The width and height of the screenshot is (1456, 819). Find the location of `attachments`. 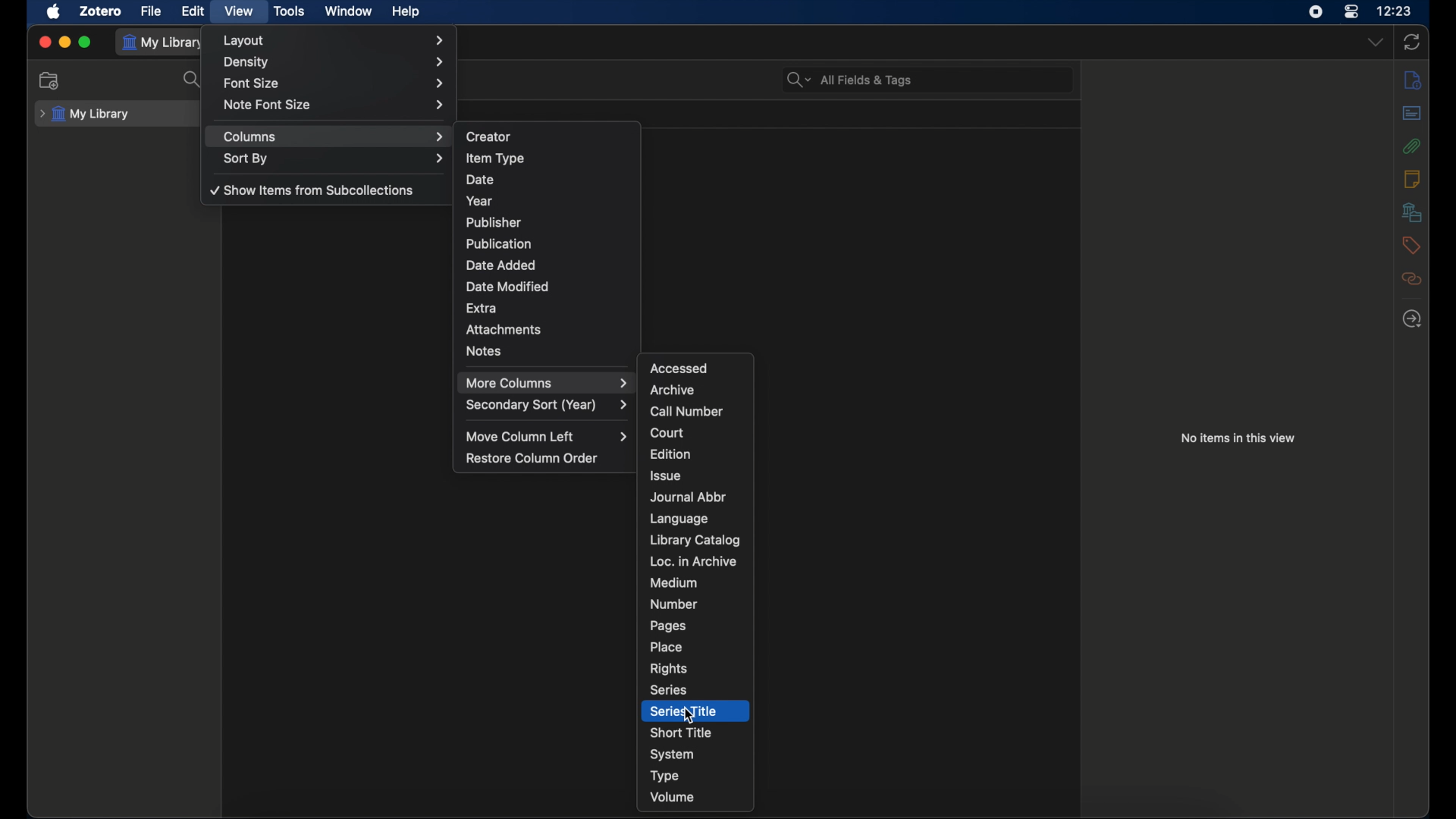

attachments is located at coordinates (1411, 146).